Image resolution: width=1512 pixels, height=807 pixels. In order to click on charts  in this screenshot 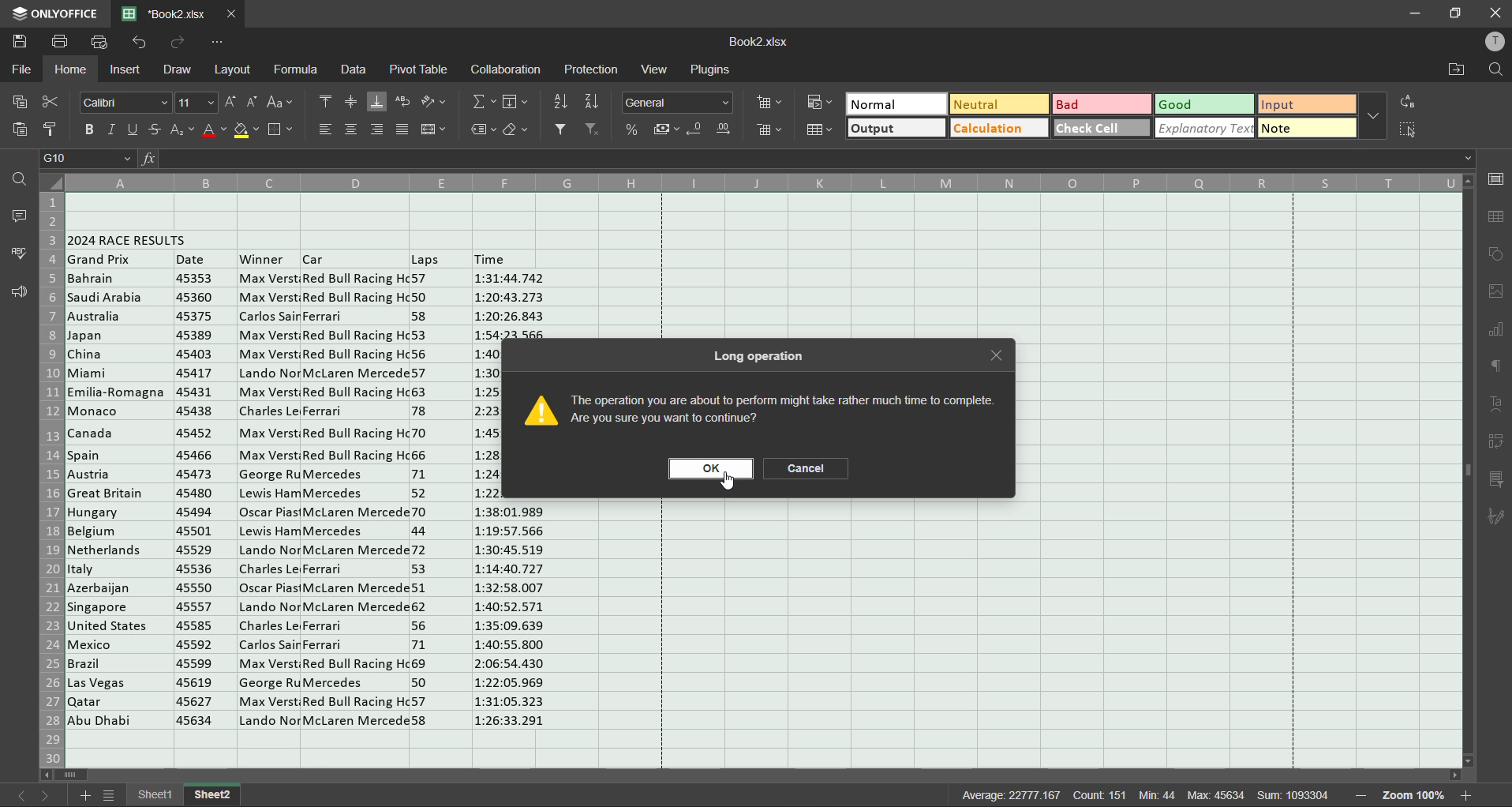, I will do `click(1496, 330)`.